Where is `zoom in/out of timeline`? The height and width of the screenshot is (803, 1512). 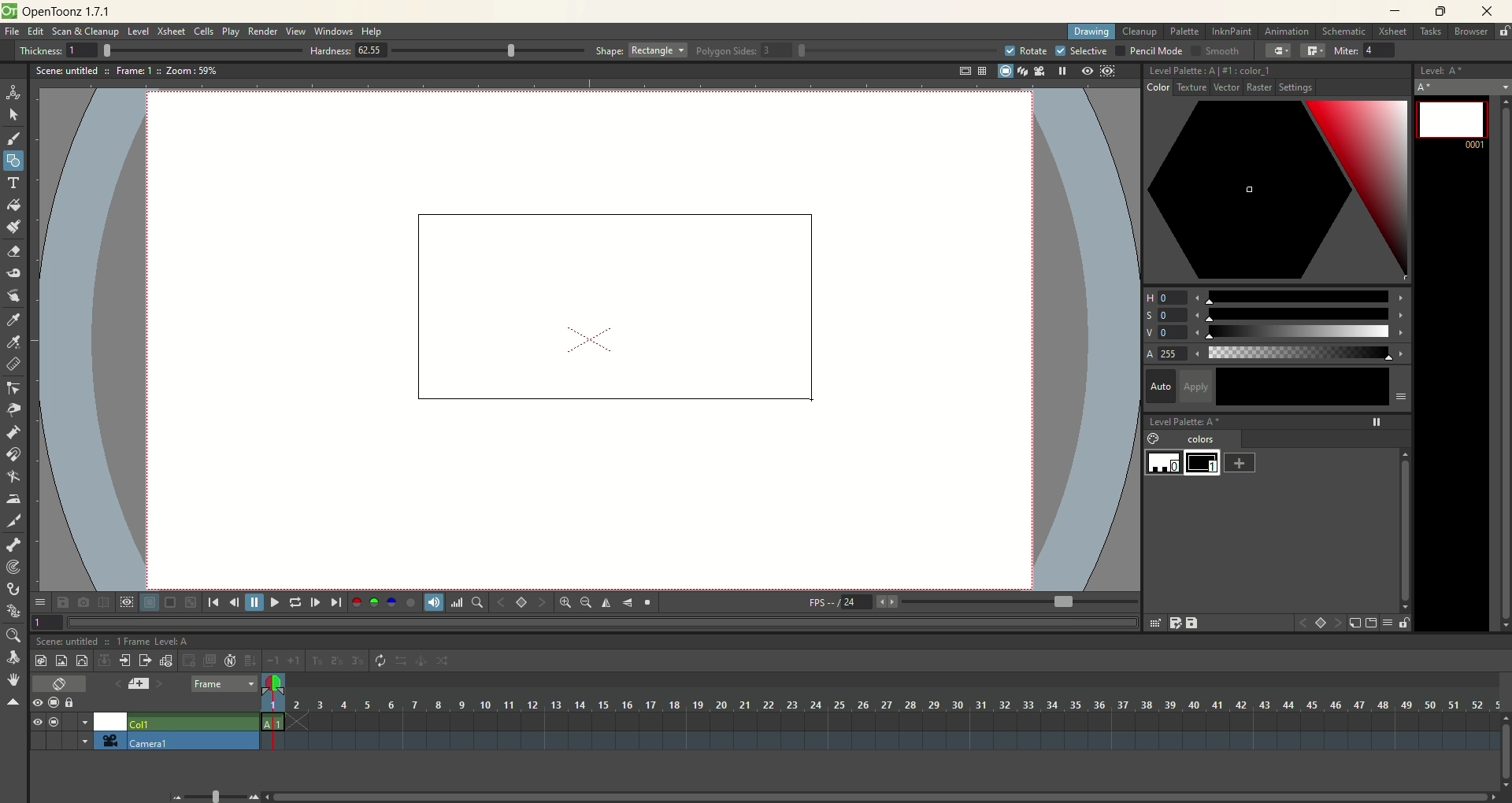 zoom in/out of timeline is located at coordinates (215, 795).